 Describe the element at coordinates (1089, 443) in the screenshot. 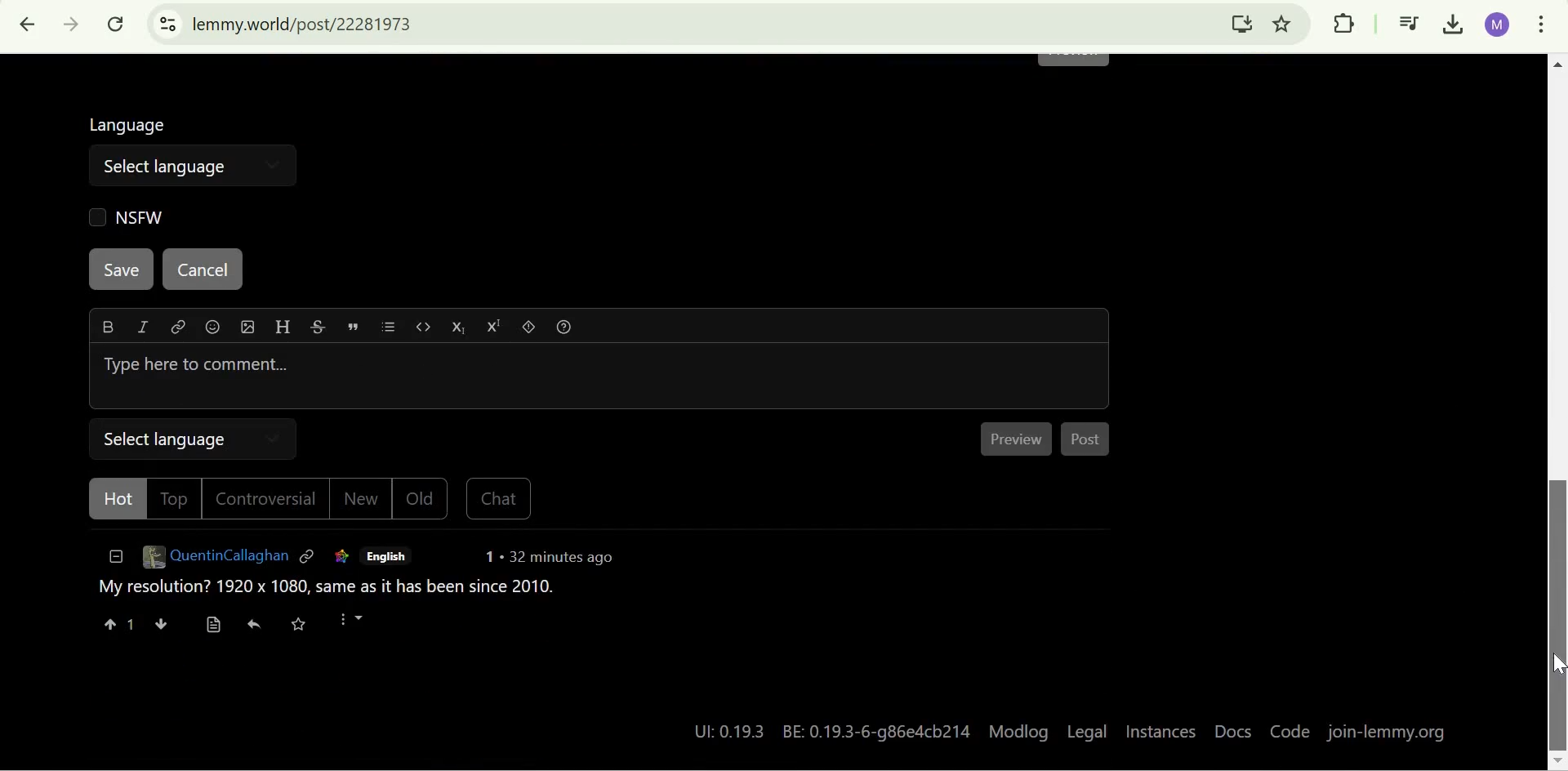

I see `Post` at that location.